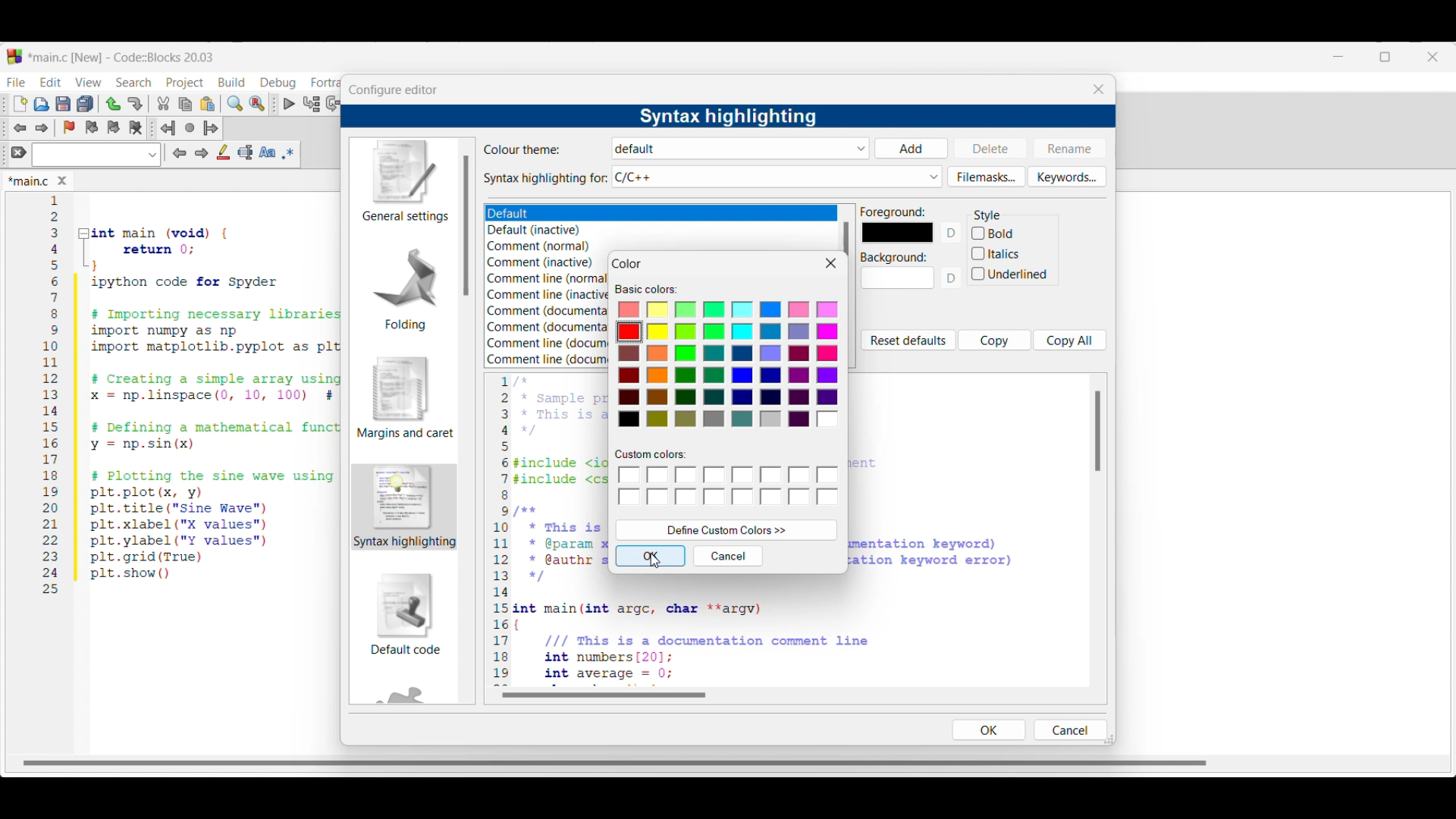  What do you see at coordinates (897, 233) in the screenshot?
I see `Foreground color options` at bounding box center [897, 233].